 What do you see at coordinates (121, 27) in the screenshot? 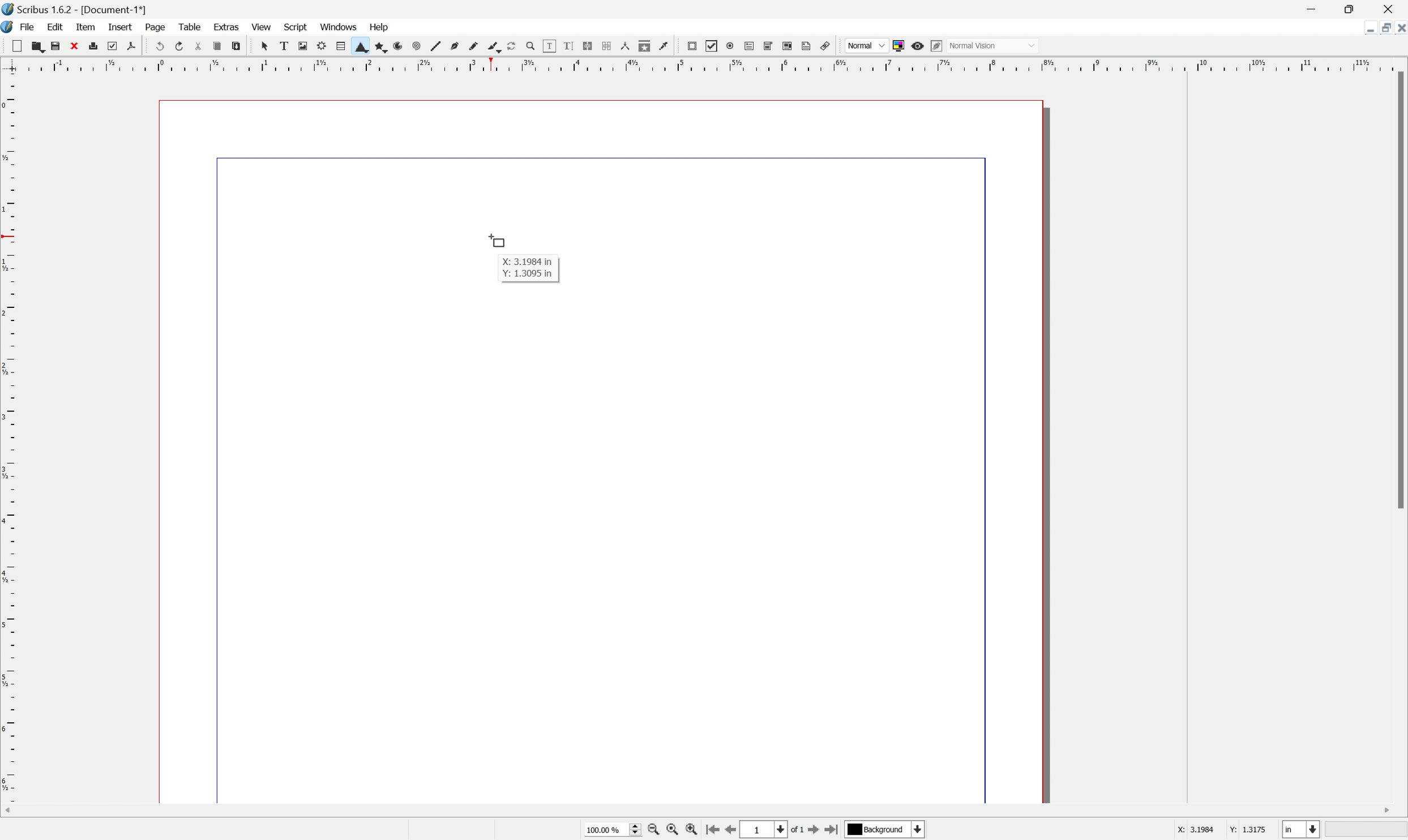
I see `Insert` at bounding box center [121, 27].